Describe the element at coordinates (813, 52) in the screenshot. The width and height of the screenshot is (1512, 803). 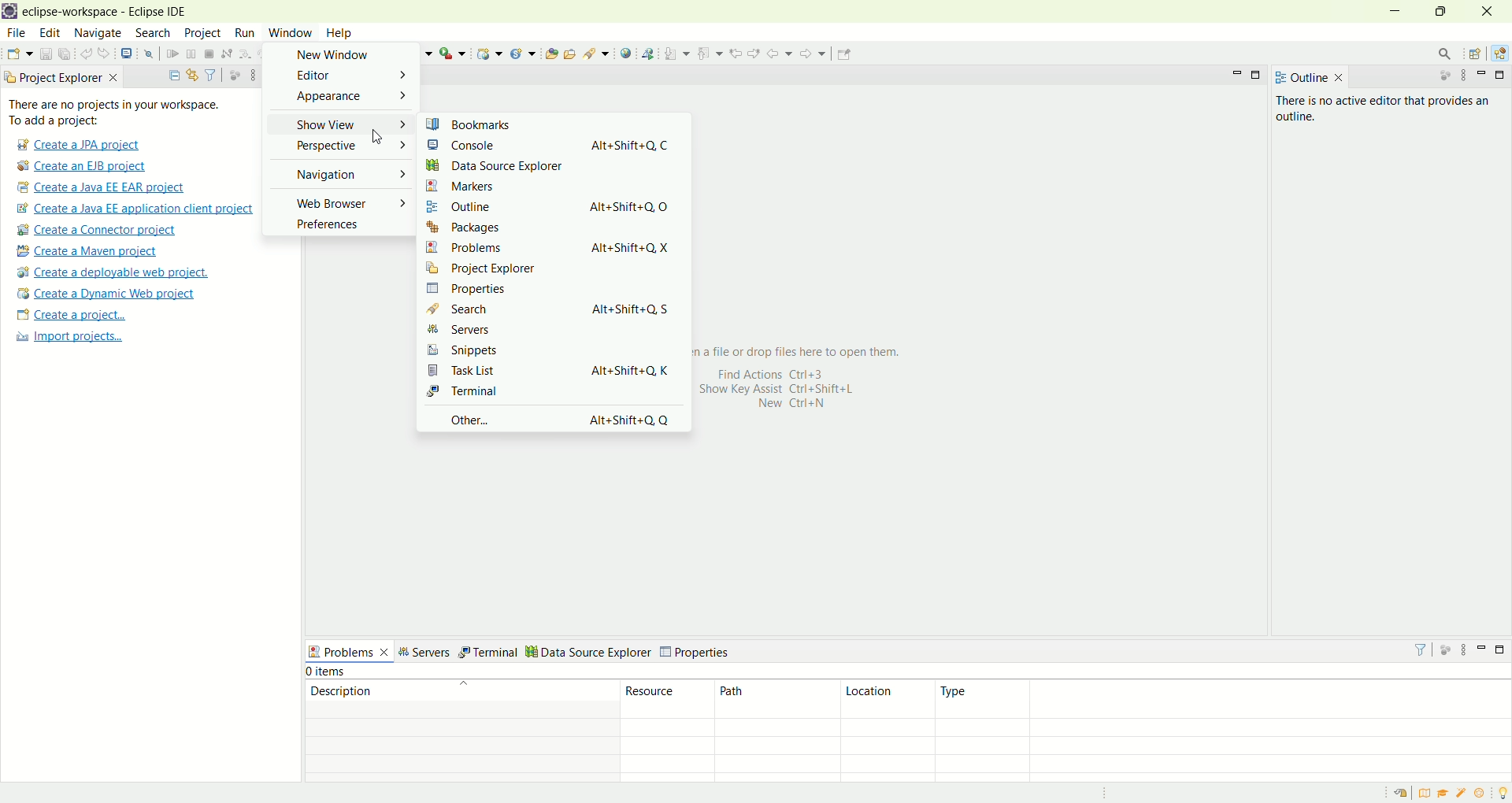
I see `forward` at that location.